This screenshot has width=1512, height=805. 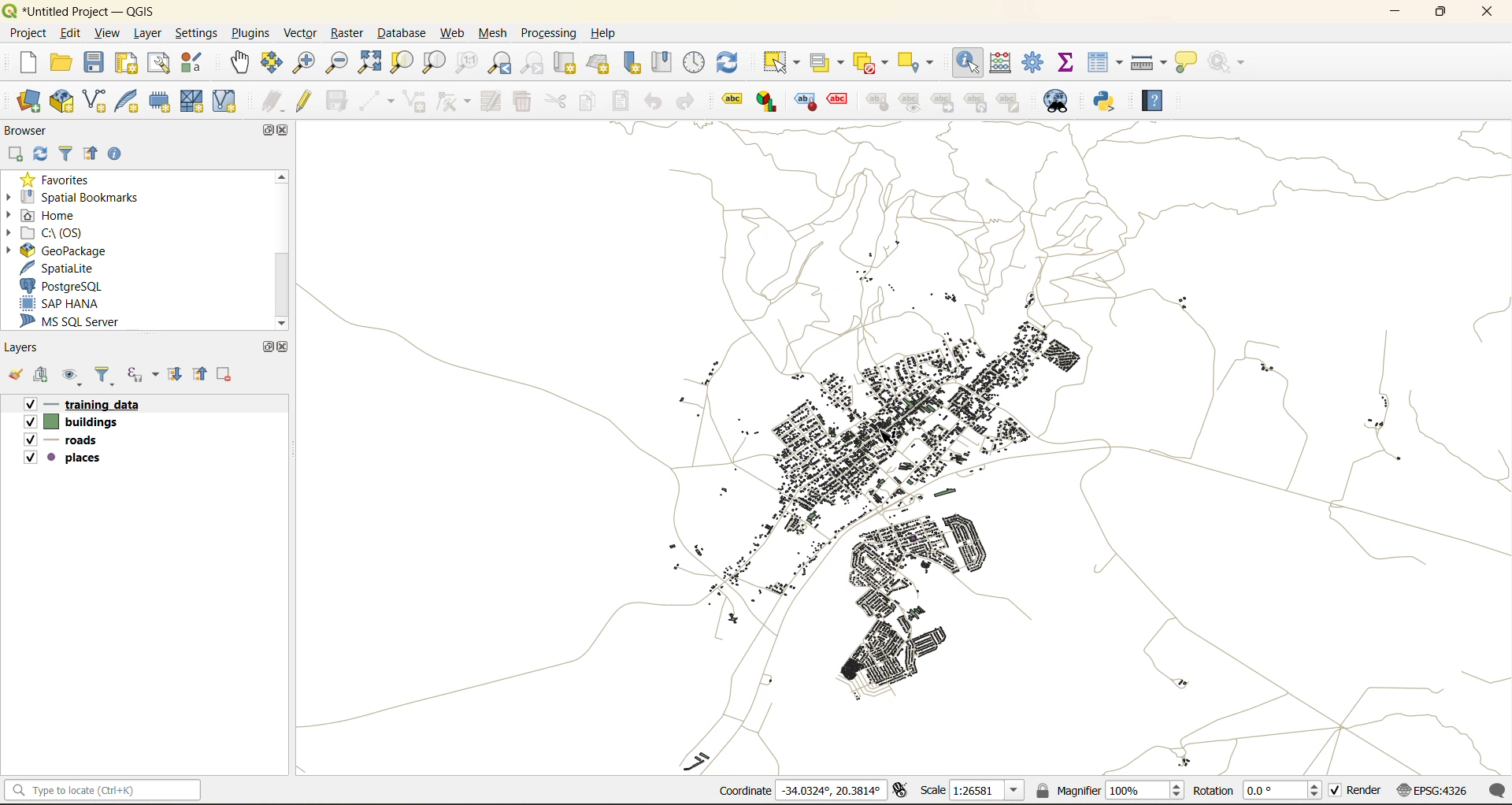 What do you see at coordinates (1440, 14) in the screenshot?
I see `maximize` at bounding box center [1440, 14].